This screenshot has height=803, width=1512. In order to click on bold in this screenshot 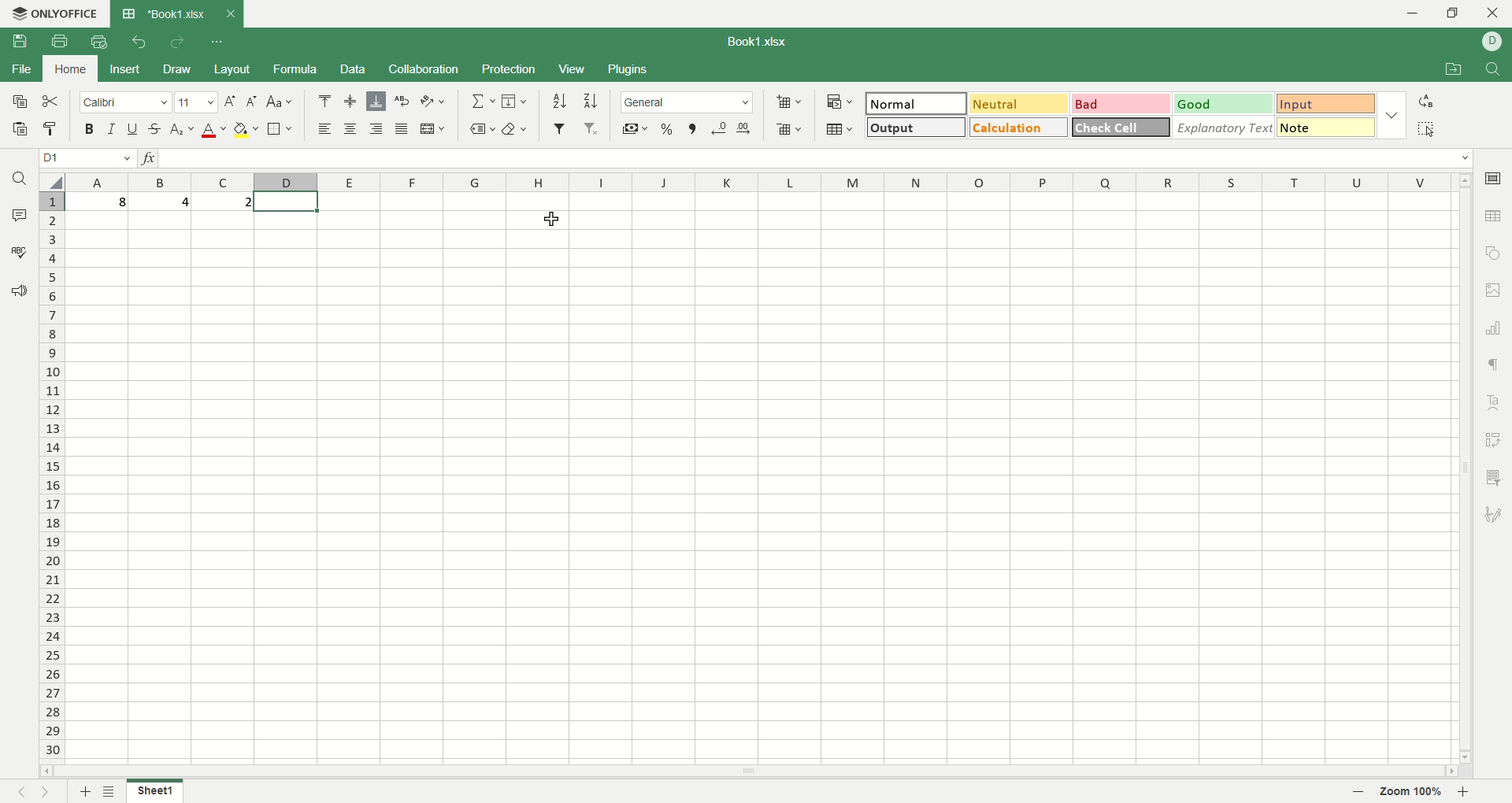, I will do `click(89, 128)`.